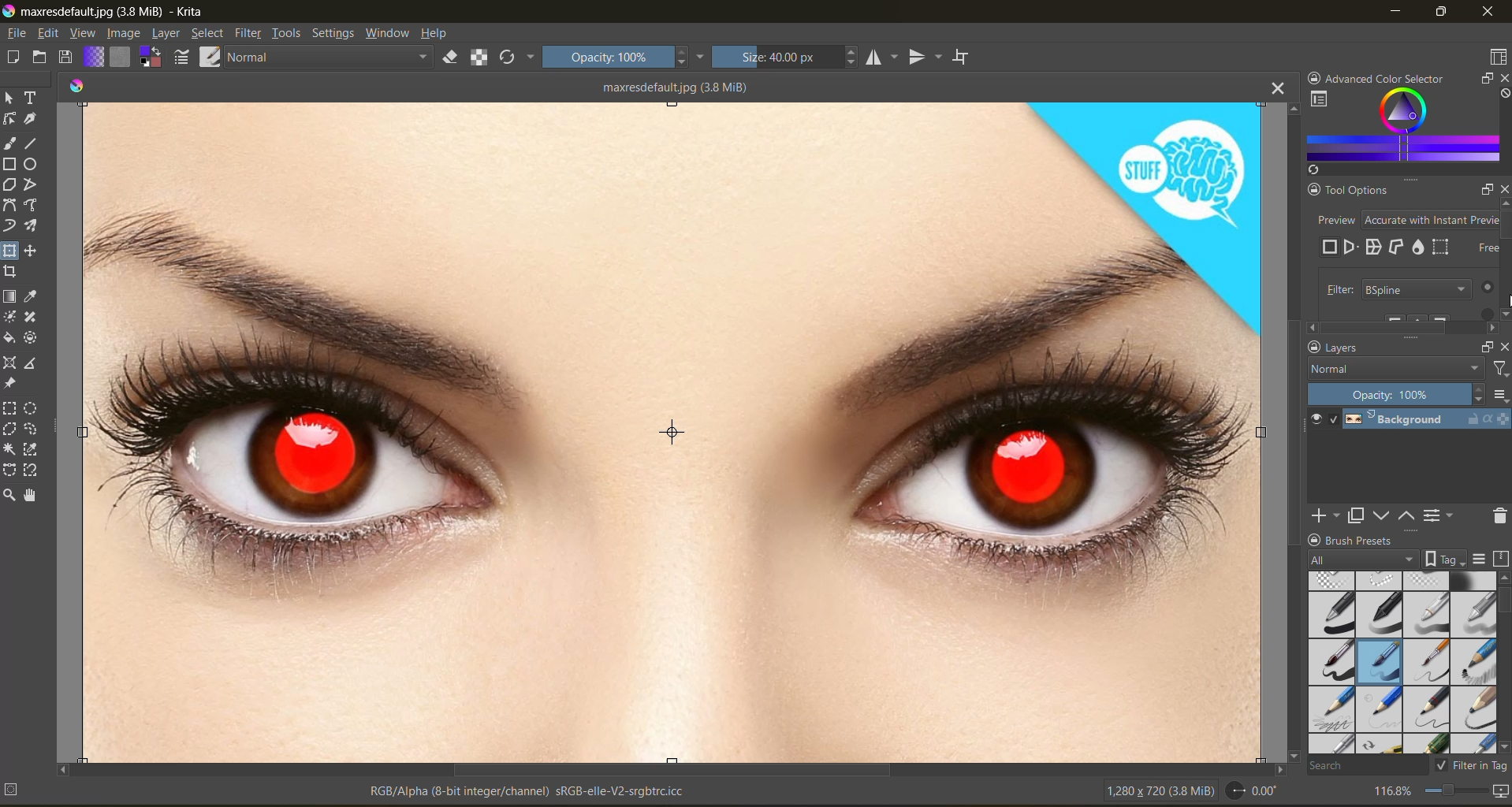  What do you see at coordinates (35, 250) in the screenshot?
I see `tool` at bounding box center [35, 250].